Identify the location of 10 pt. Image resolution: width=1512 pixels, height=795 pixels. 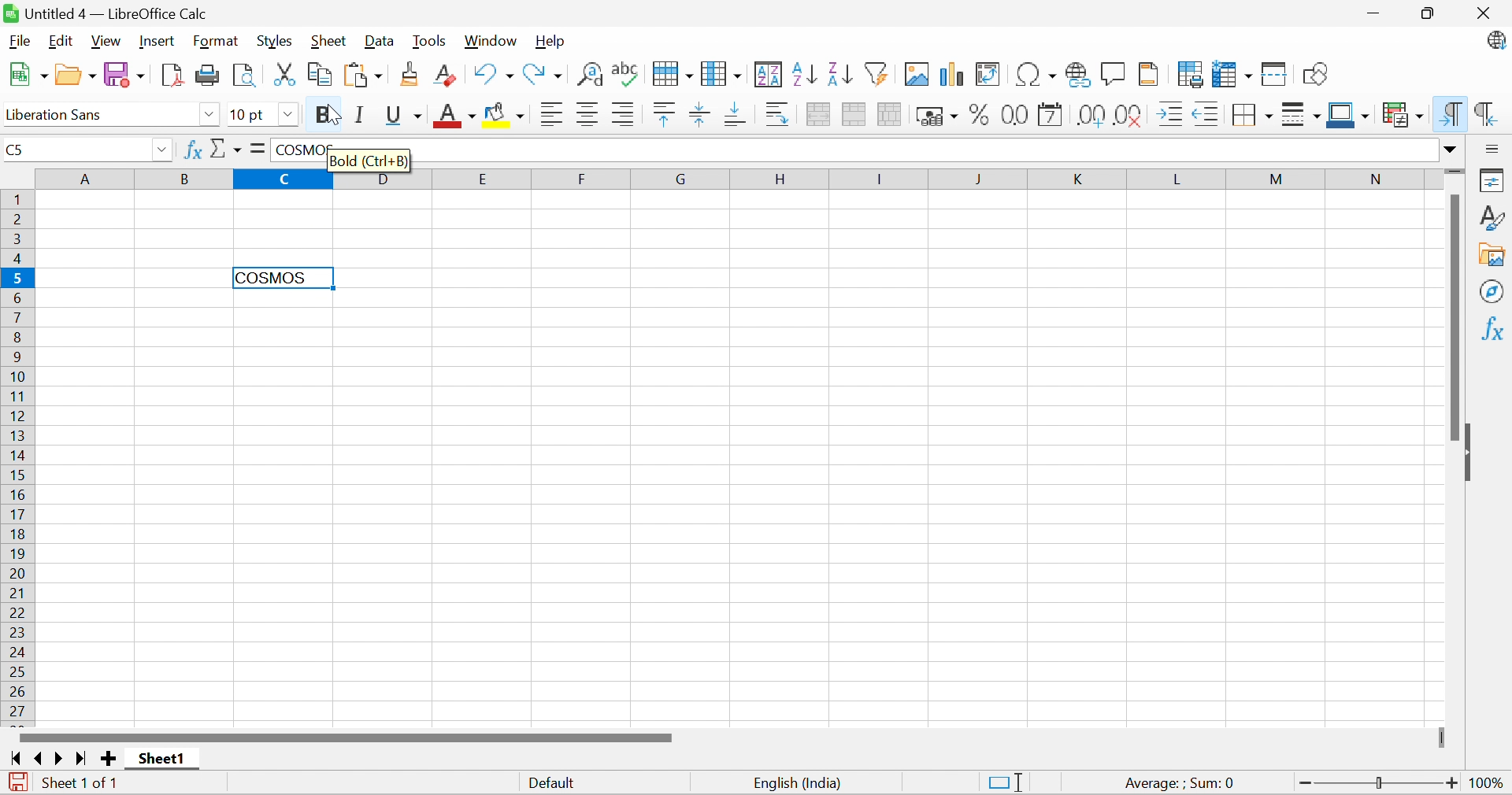
(251, 115).